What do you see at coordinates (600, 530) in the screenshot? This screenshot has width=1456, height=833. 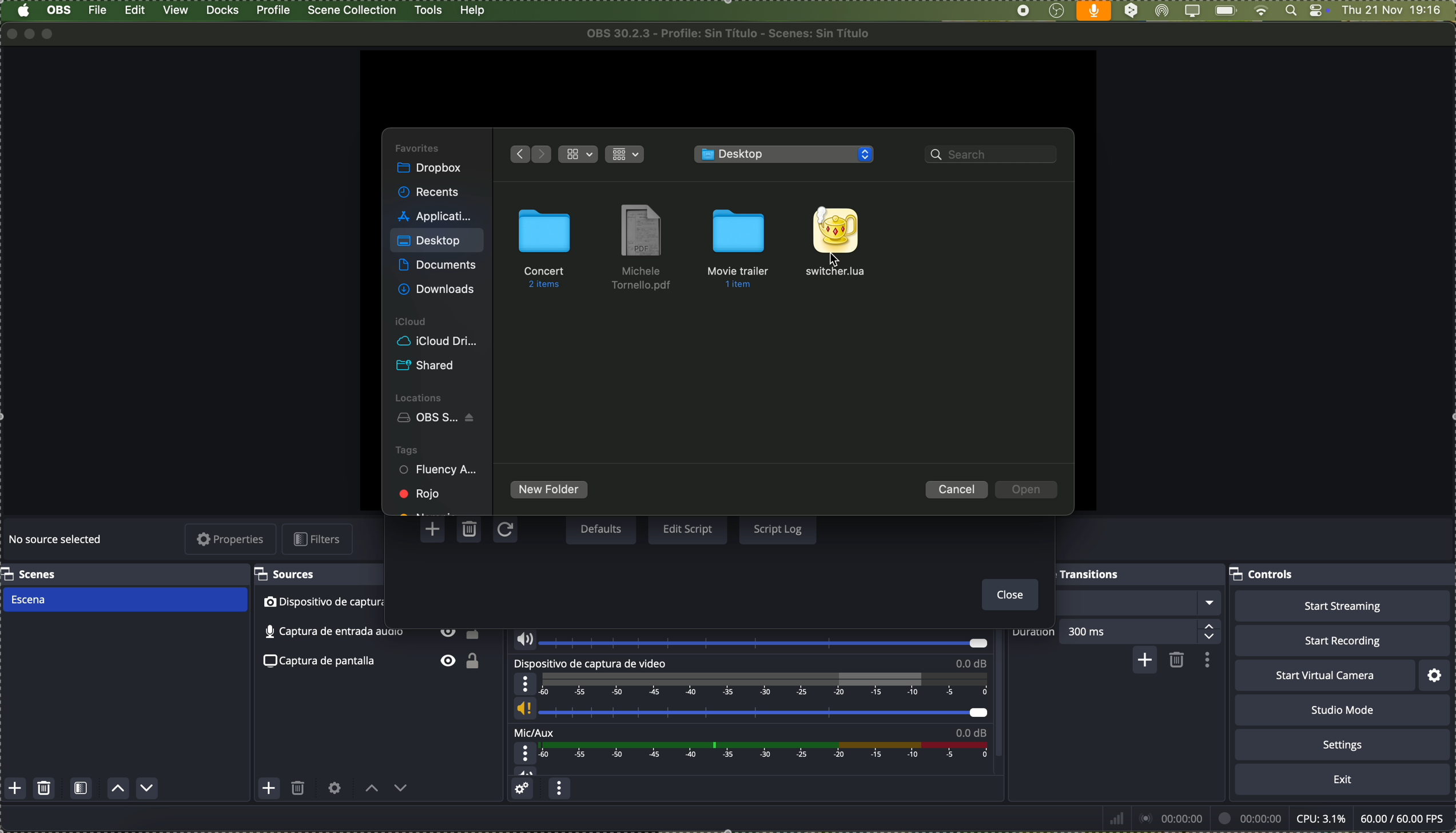 I see `defaults` at bounding box center [600, 530].